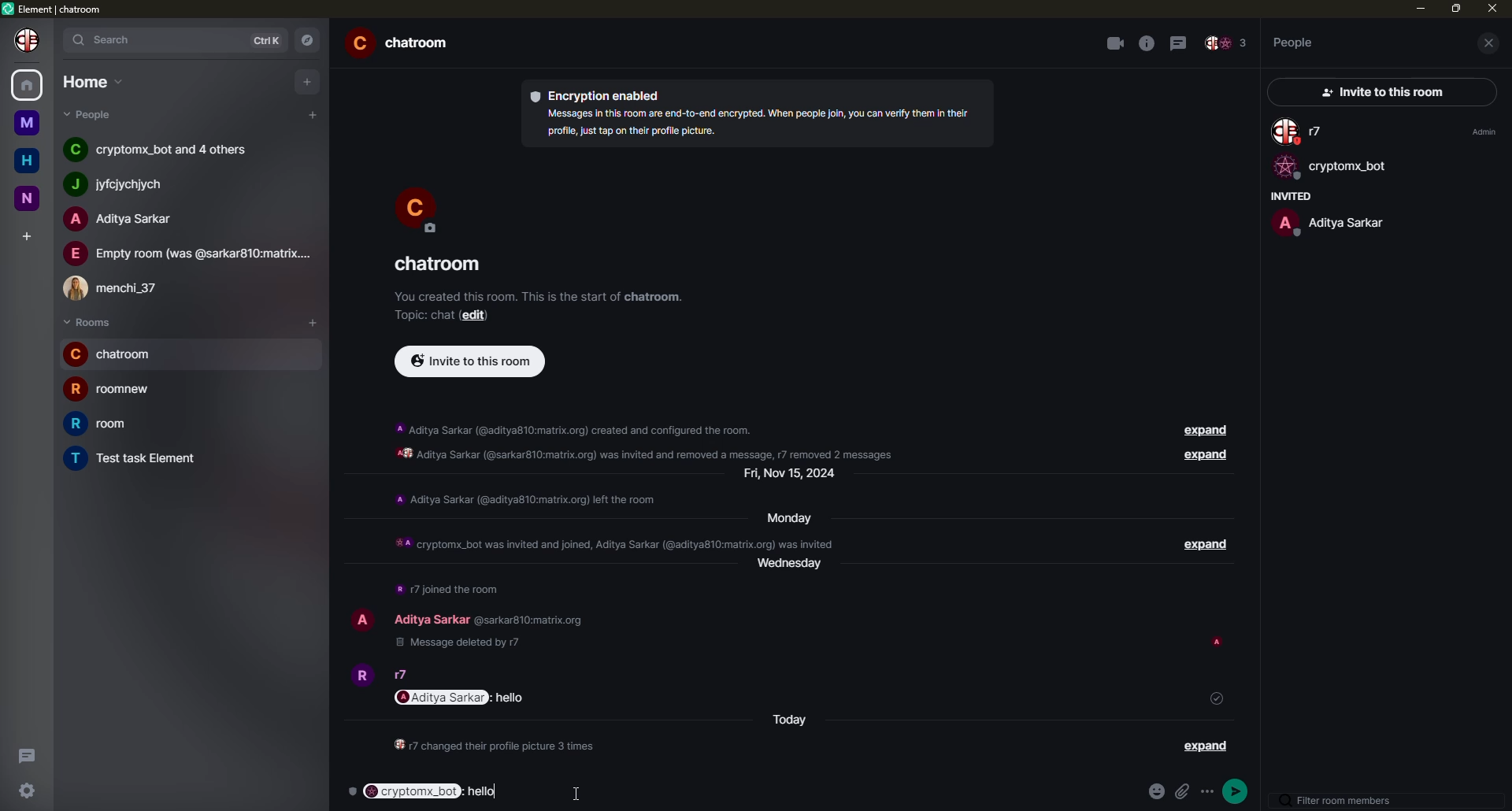  I want to click on bot, so click(1330, 168).